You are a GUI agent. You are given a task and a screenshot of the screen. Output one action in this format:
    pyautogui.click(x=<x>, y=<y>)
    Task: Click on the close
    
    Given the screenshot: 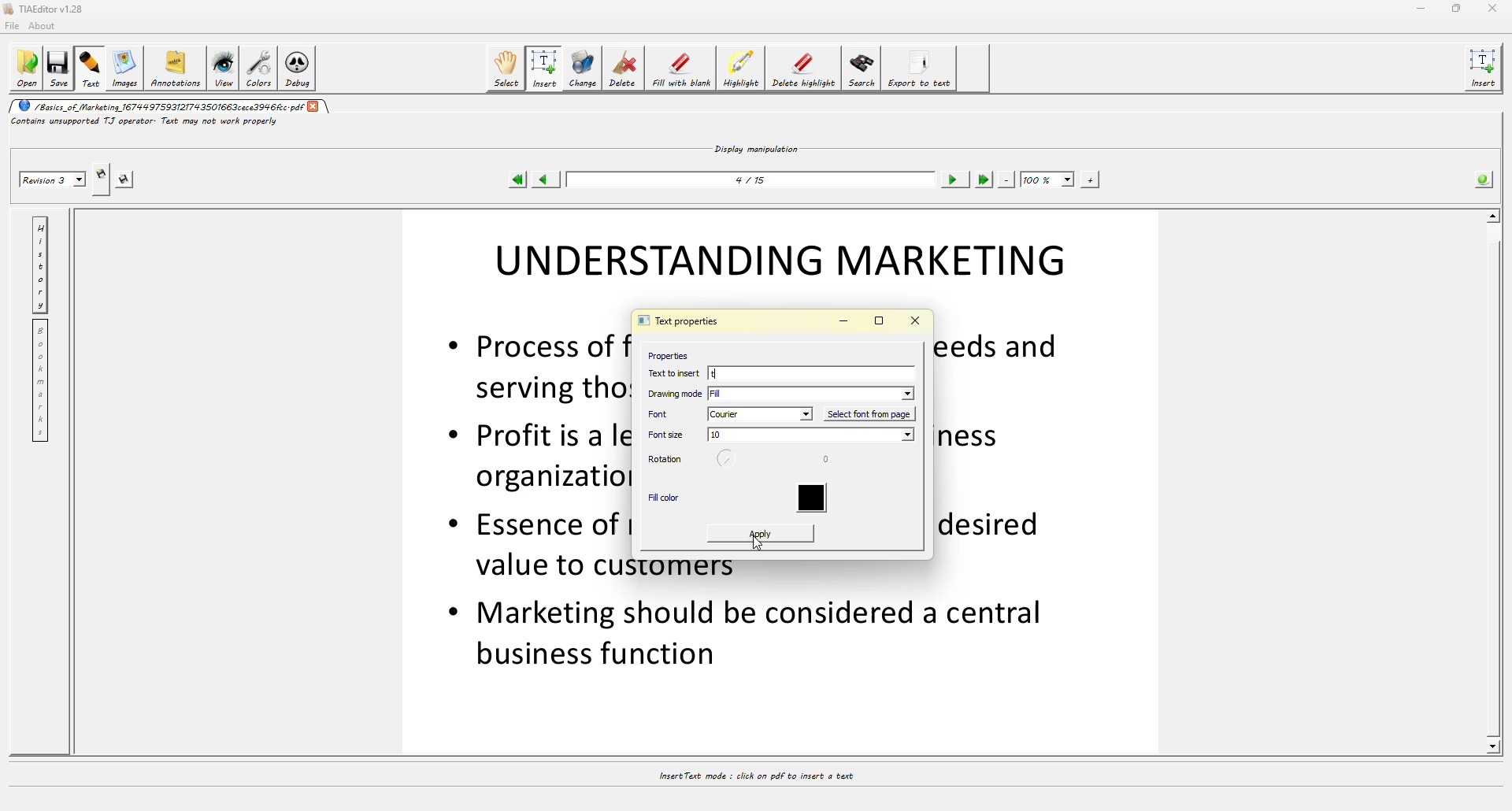 What is the action you would take?
    pyautogui.click(x=316, y=106)
    